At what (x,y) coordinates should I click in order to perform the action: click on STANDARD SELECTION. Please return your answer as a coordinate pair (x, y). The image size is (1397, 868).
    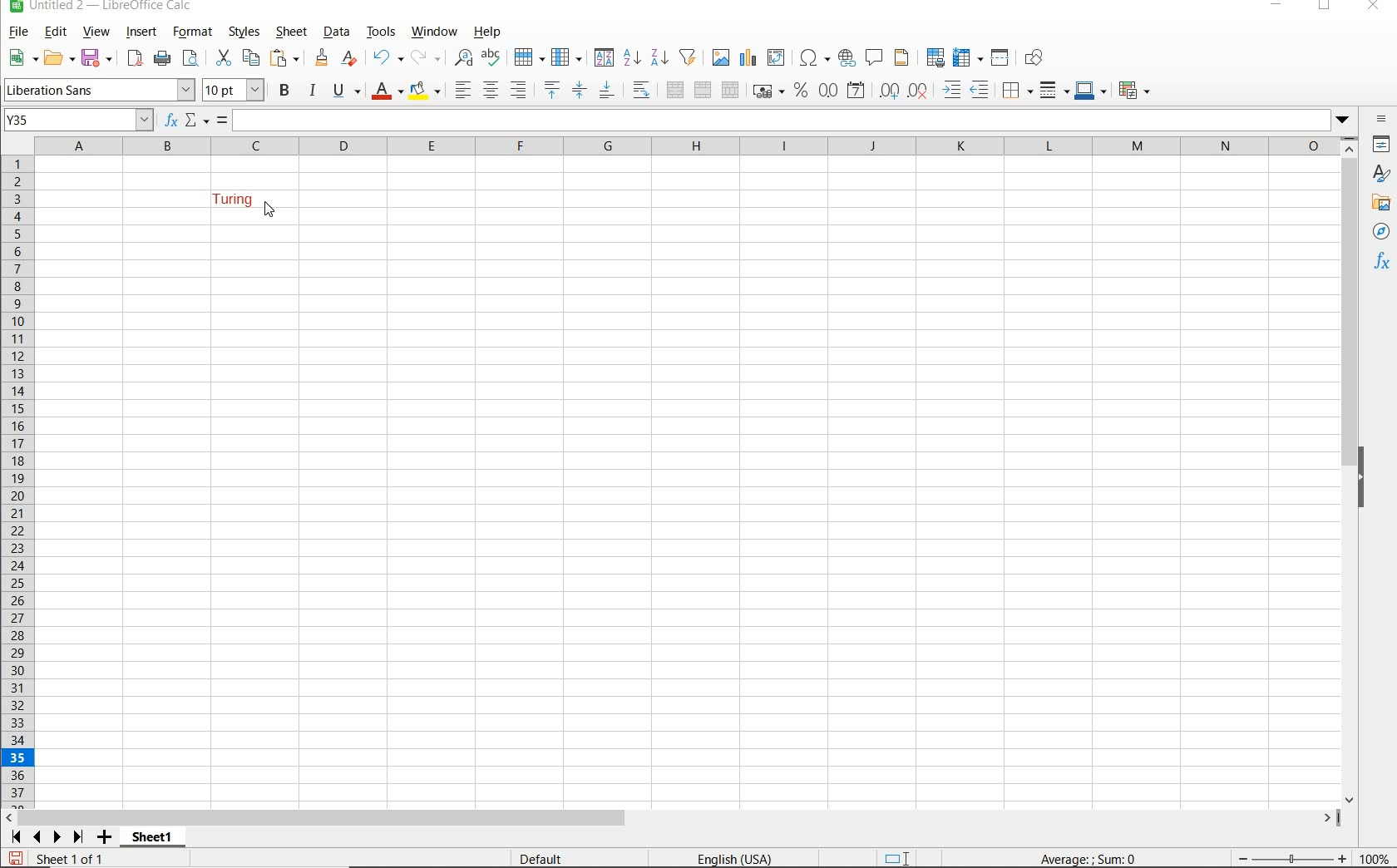
    Looking at the image, I should click on (896, 859).